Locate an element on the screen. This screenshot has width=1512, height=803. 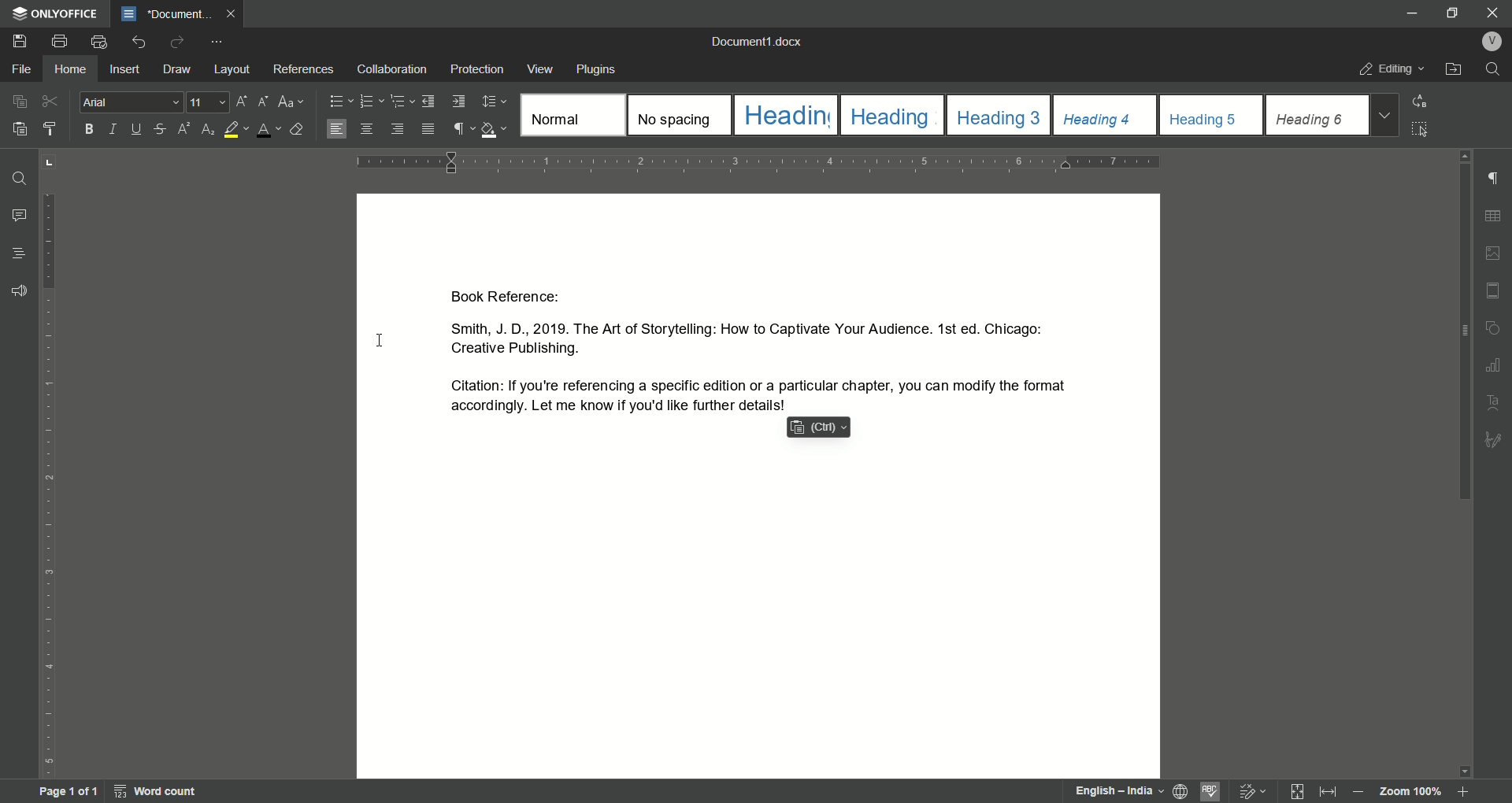
references is located at coordinates (304, 68).